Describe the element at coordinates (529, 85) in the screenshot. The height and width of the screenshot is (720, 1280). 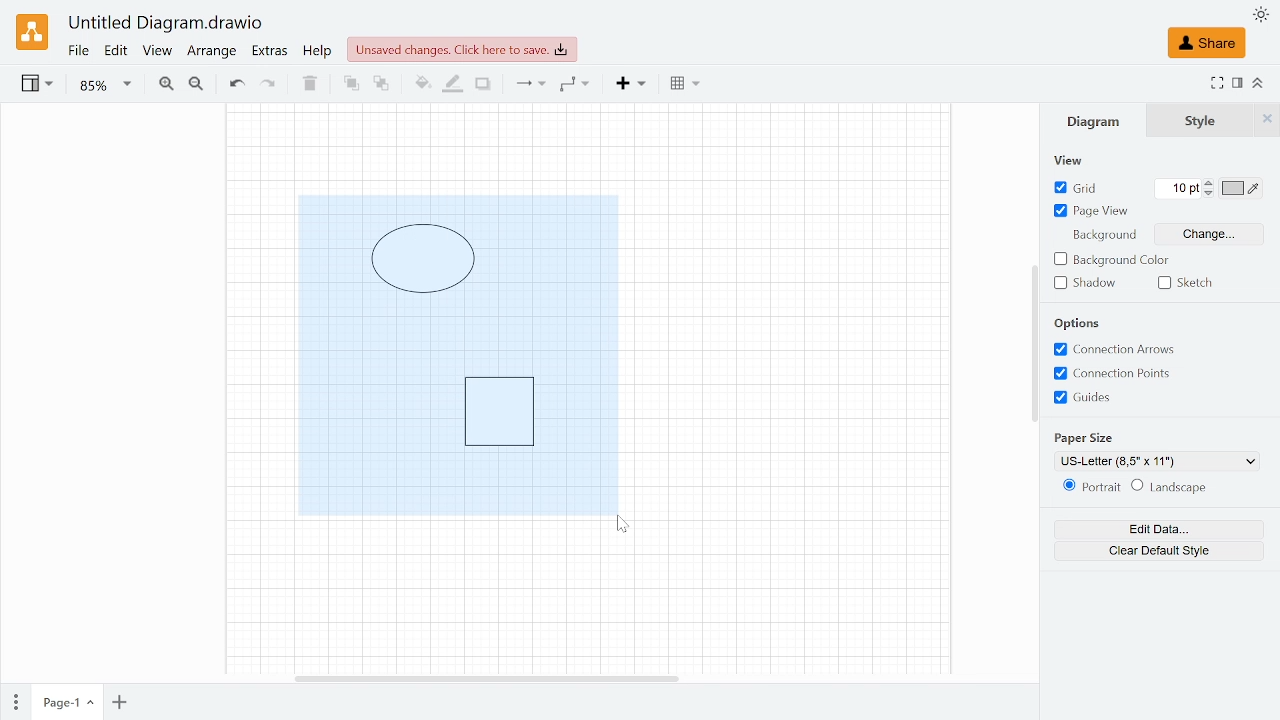
I see `Connection` at that location.